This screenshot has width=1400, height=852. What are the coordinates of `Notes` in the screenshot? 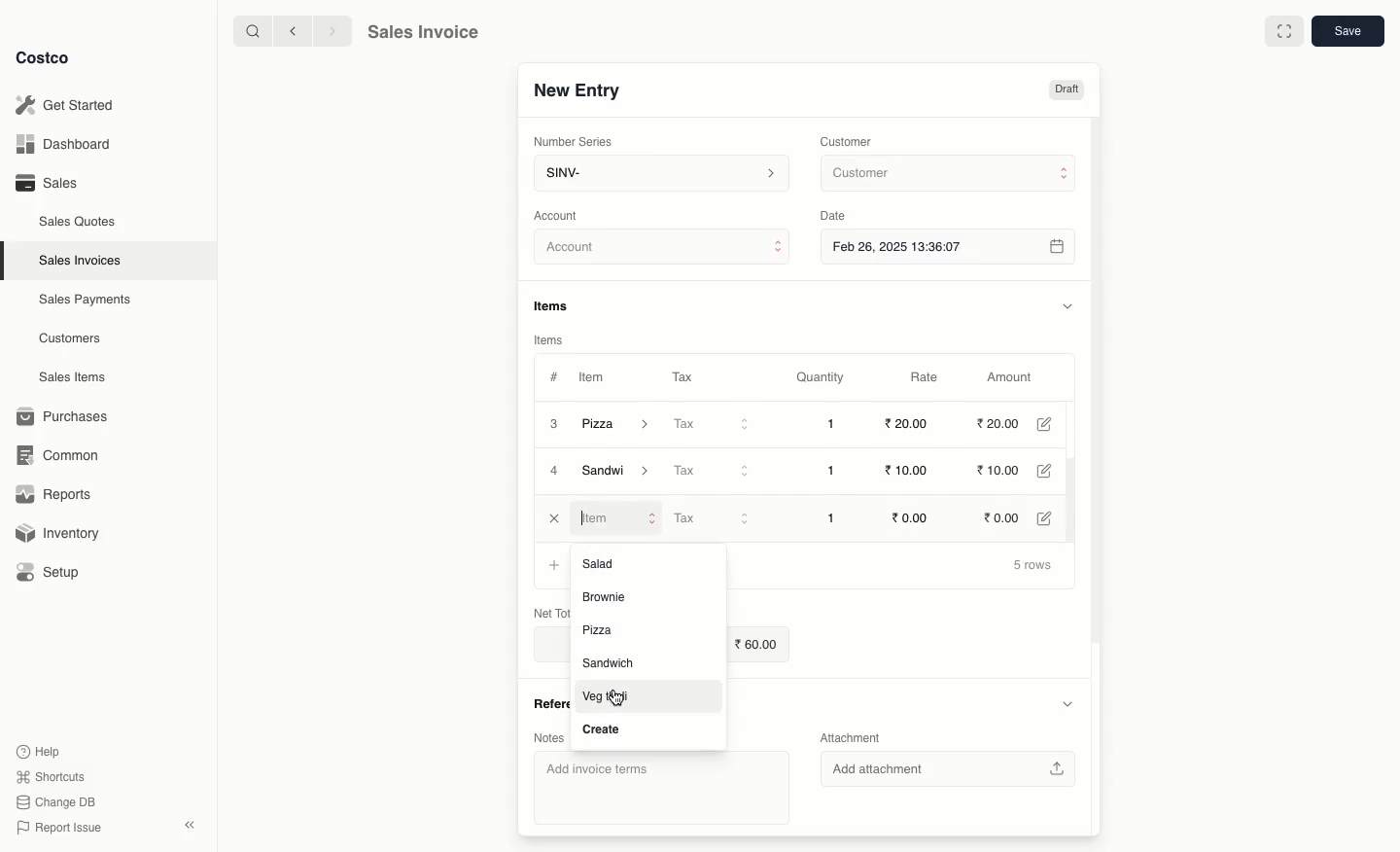 It's located at (548, 736).